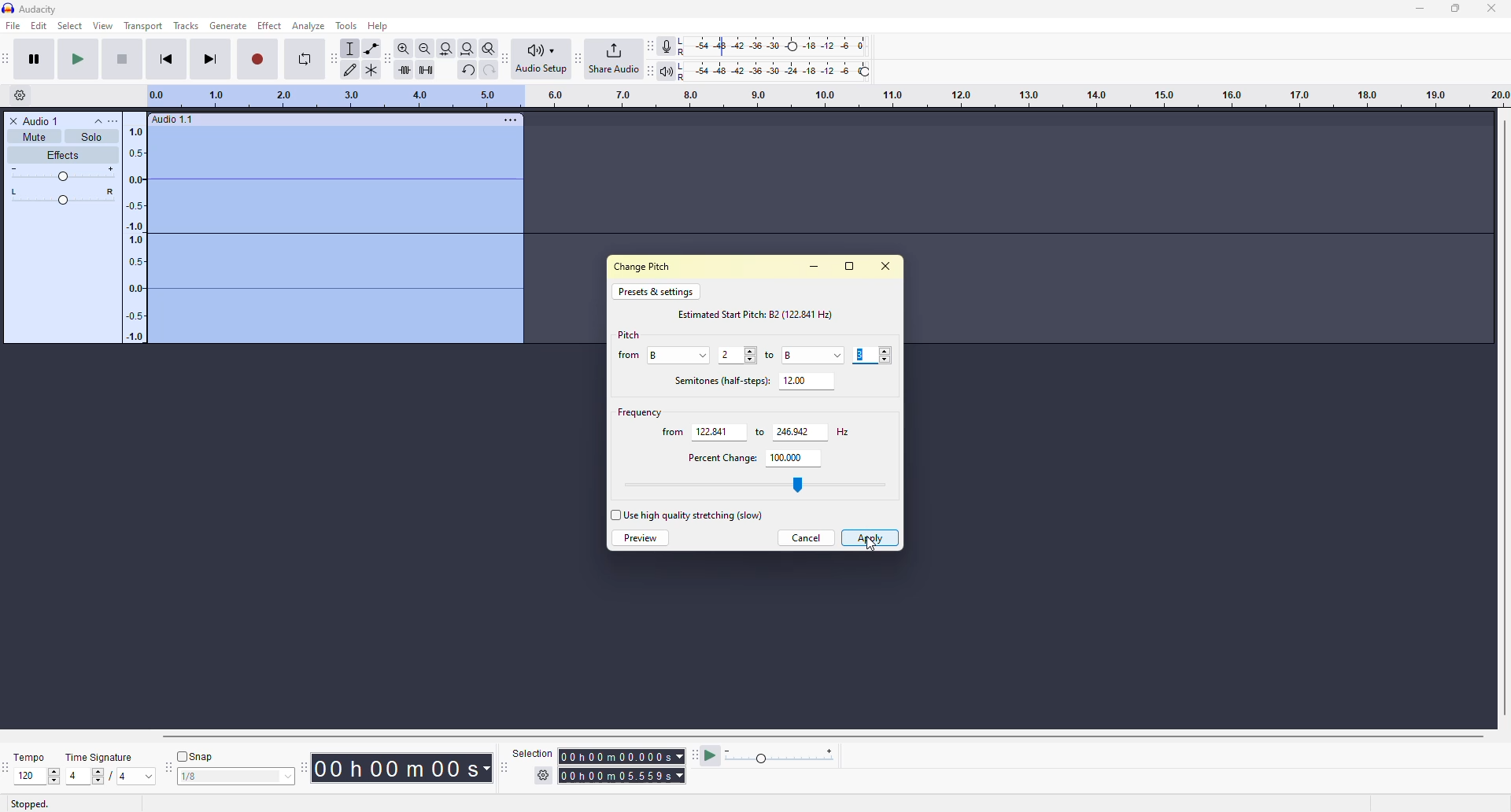 The width and height of the screenshot is (1511, 812). I want to click on time signature toolbar, so click(6, 768).